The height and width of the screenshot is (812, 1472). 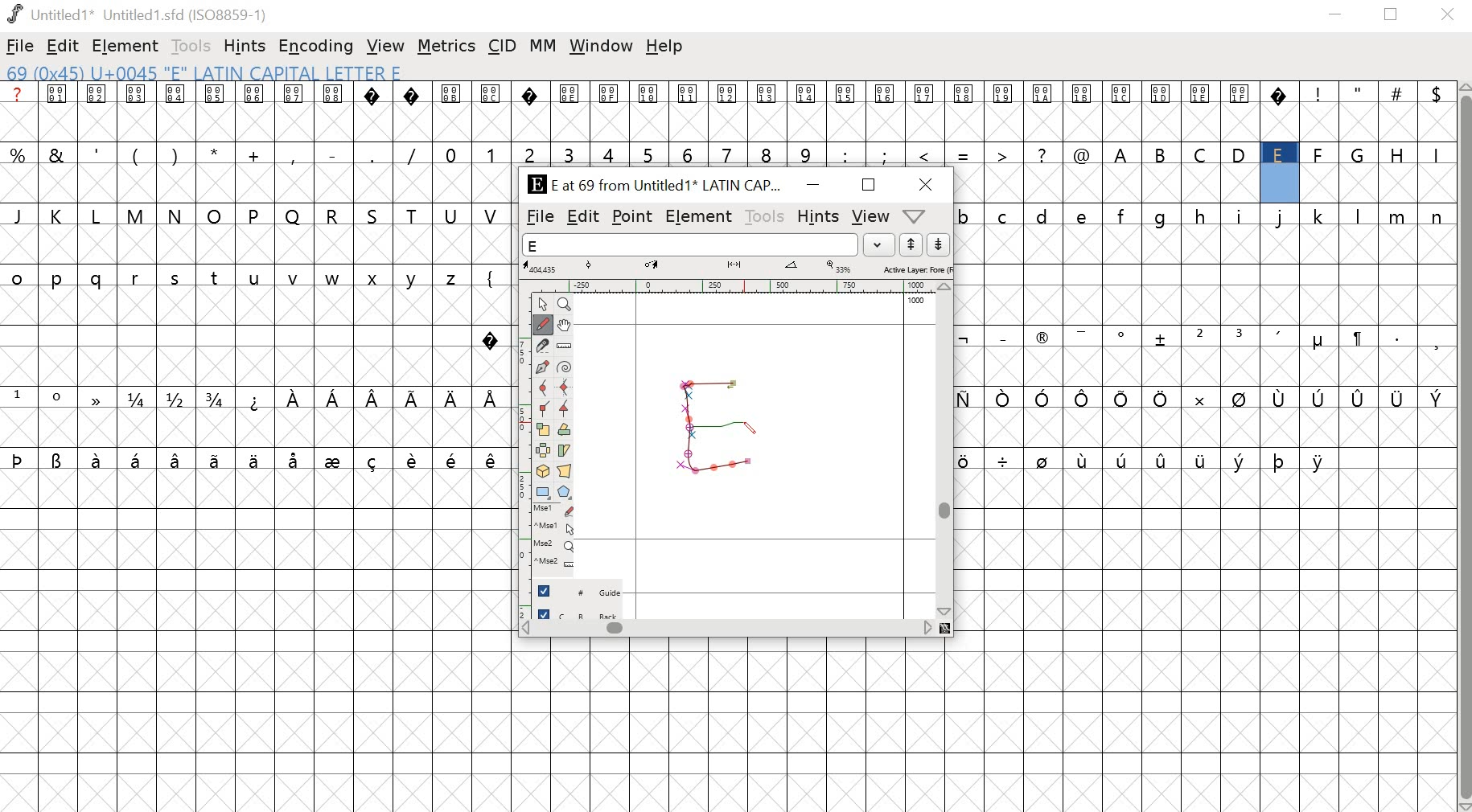 What do you see at coordinates (544, 367) in the screenshot?
I see `Pen` at bounding box center [544, 367].